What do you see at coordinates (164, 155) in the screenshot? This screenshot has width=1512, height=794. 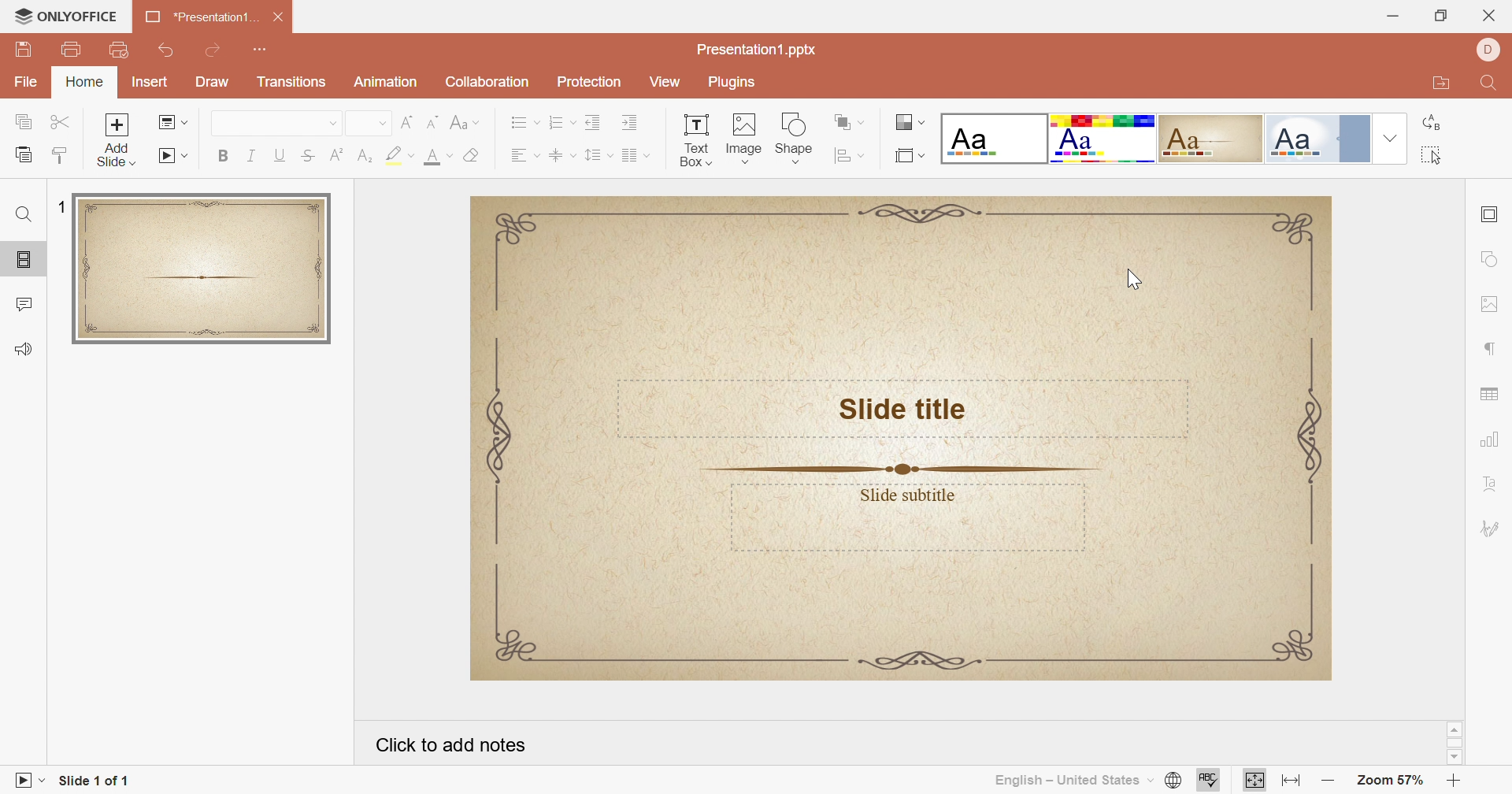 I see `Start slideshow` at bounding box center [164, 155].